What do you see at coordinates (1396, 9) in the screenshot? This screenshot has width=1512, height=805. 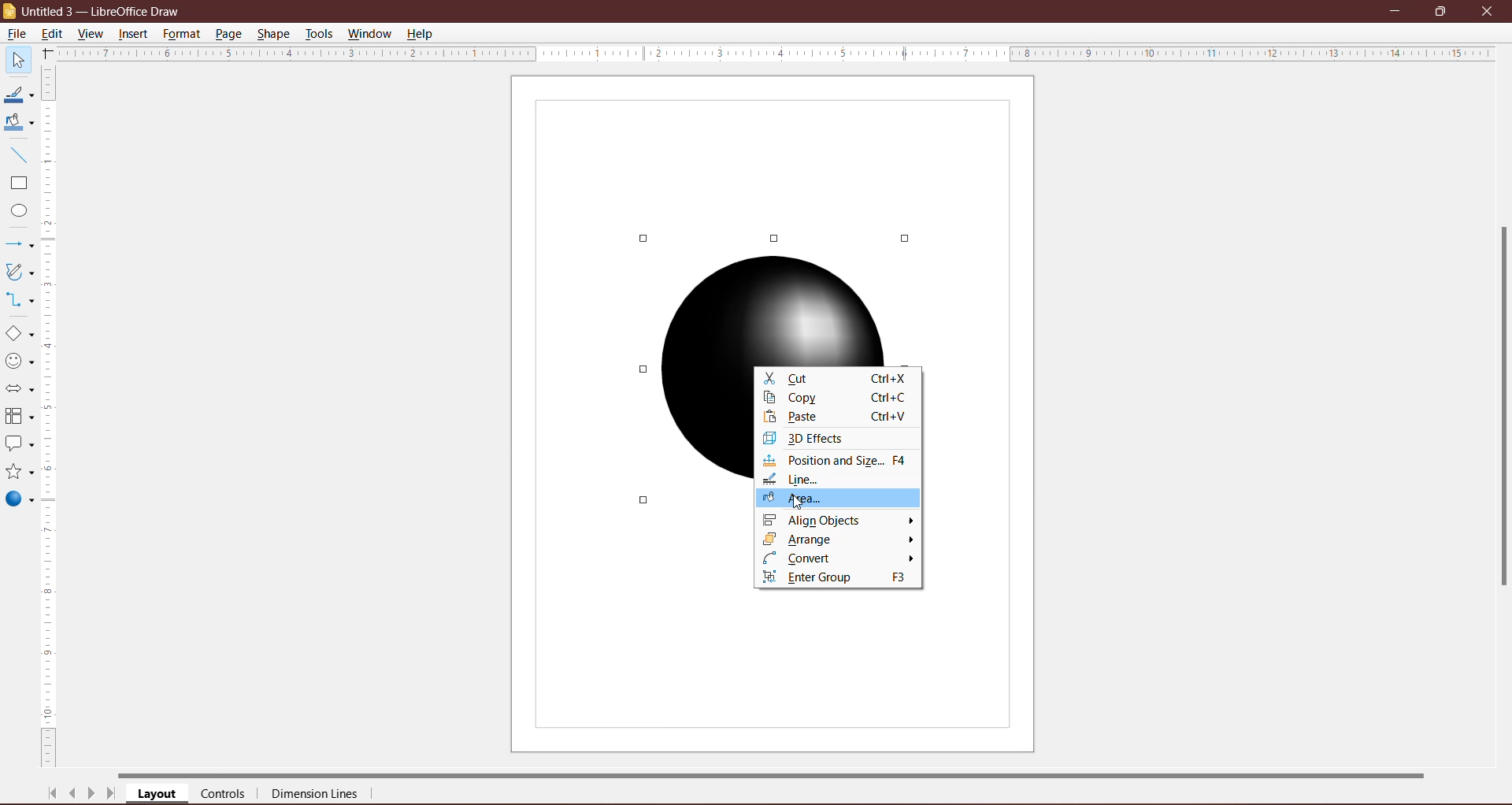 I see `Minimize` at bounding box center [1396, 9].